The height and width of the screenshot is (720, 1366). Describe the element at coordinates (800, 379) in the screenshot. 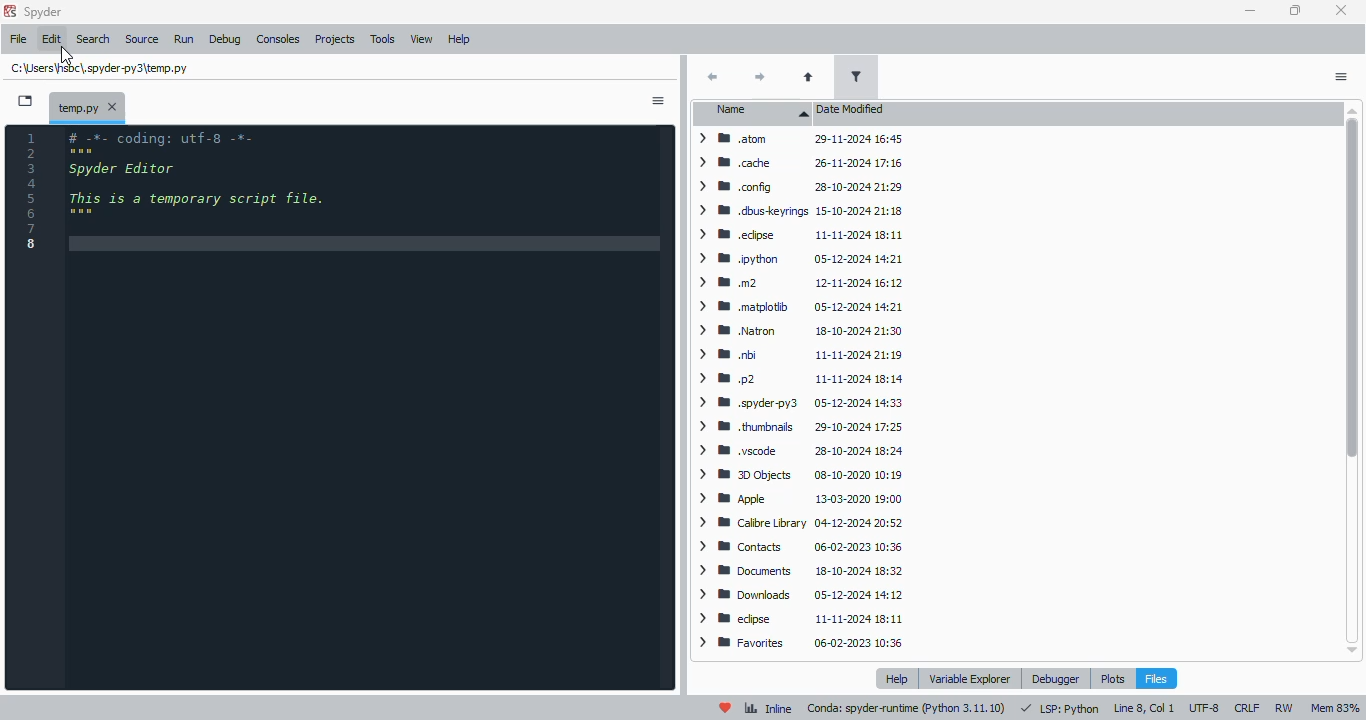

I see `> Wm p2 11-11-2024 18:14` at that location.